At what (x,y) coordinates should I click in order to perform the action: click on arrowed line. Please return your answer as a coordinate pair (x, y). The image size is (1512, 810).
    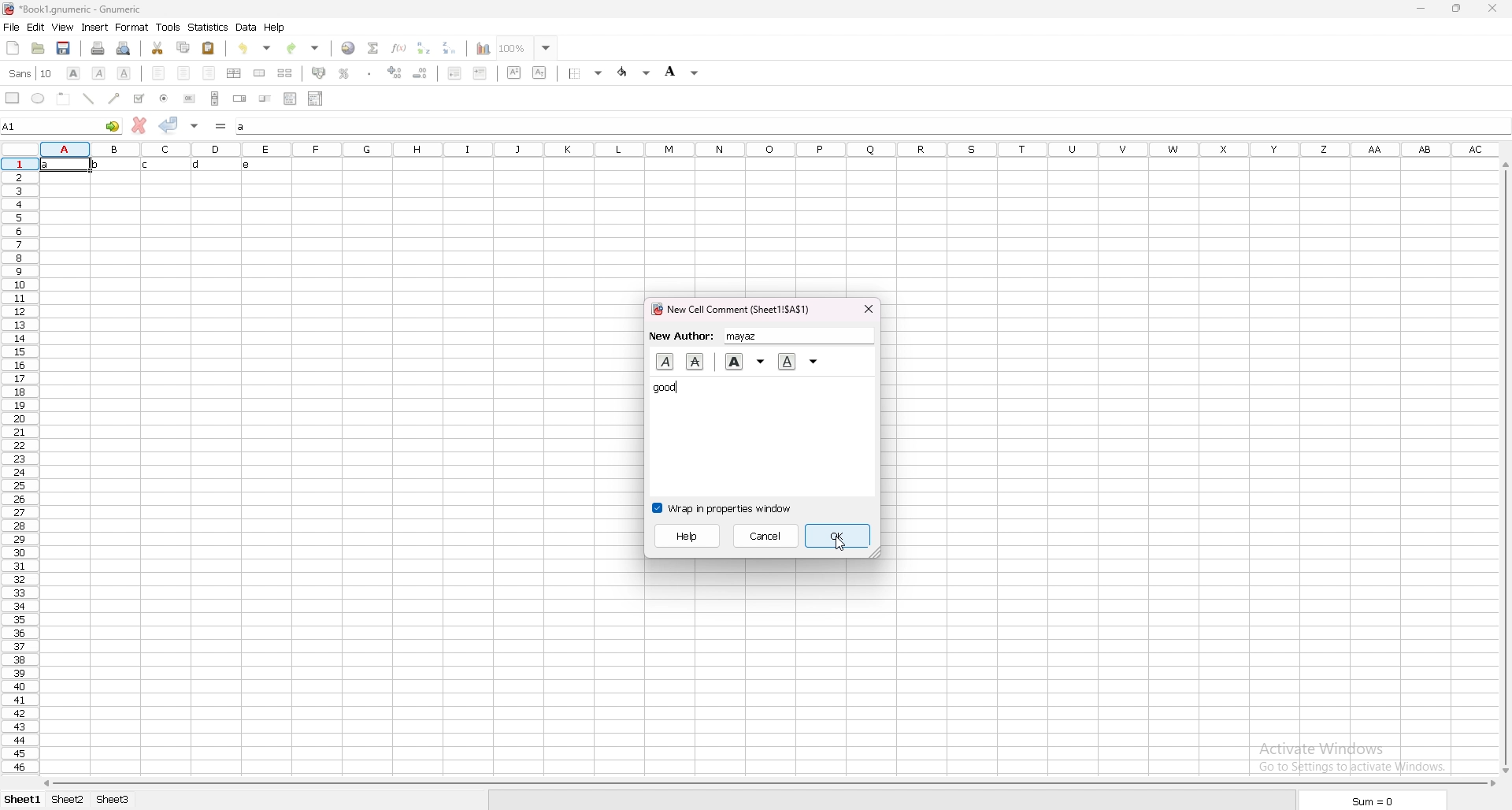
    Looking at the image, I should click on (117, 98).